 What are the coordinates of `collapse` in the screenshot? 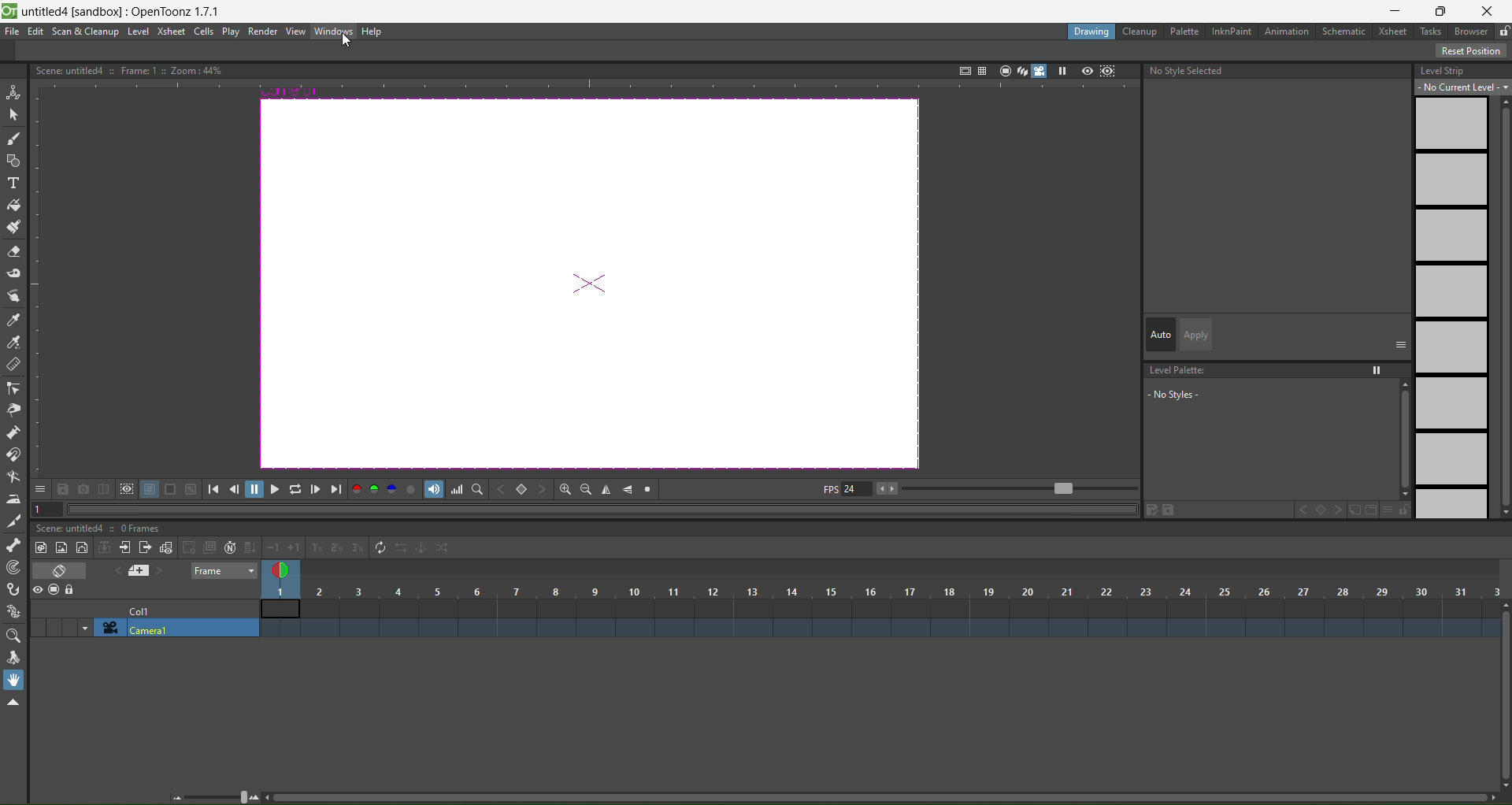 It's located at (105, 547).